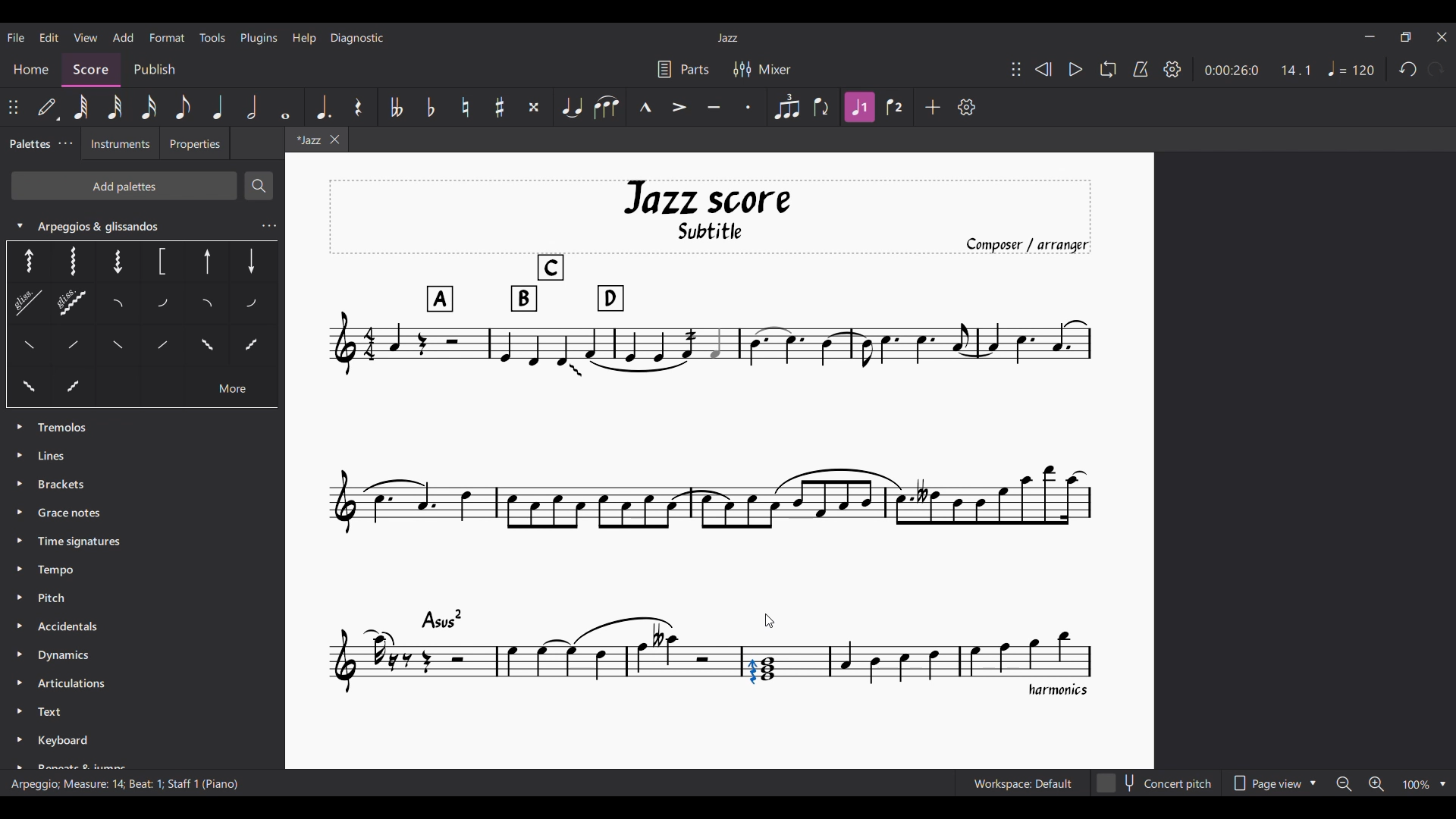 The height and width of the screenshot is (819, 1456). I want to click on Arpeggios & glissandos, so click(144, 221).